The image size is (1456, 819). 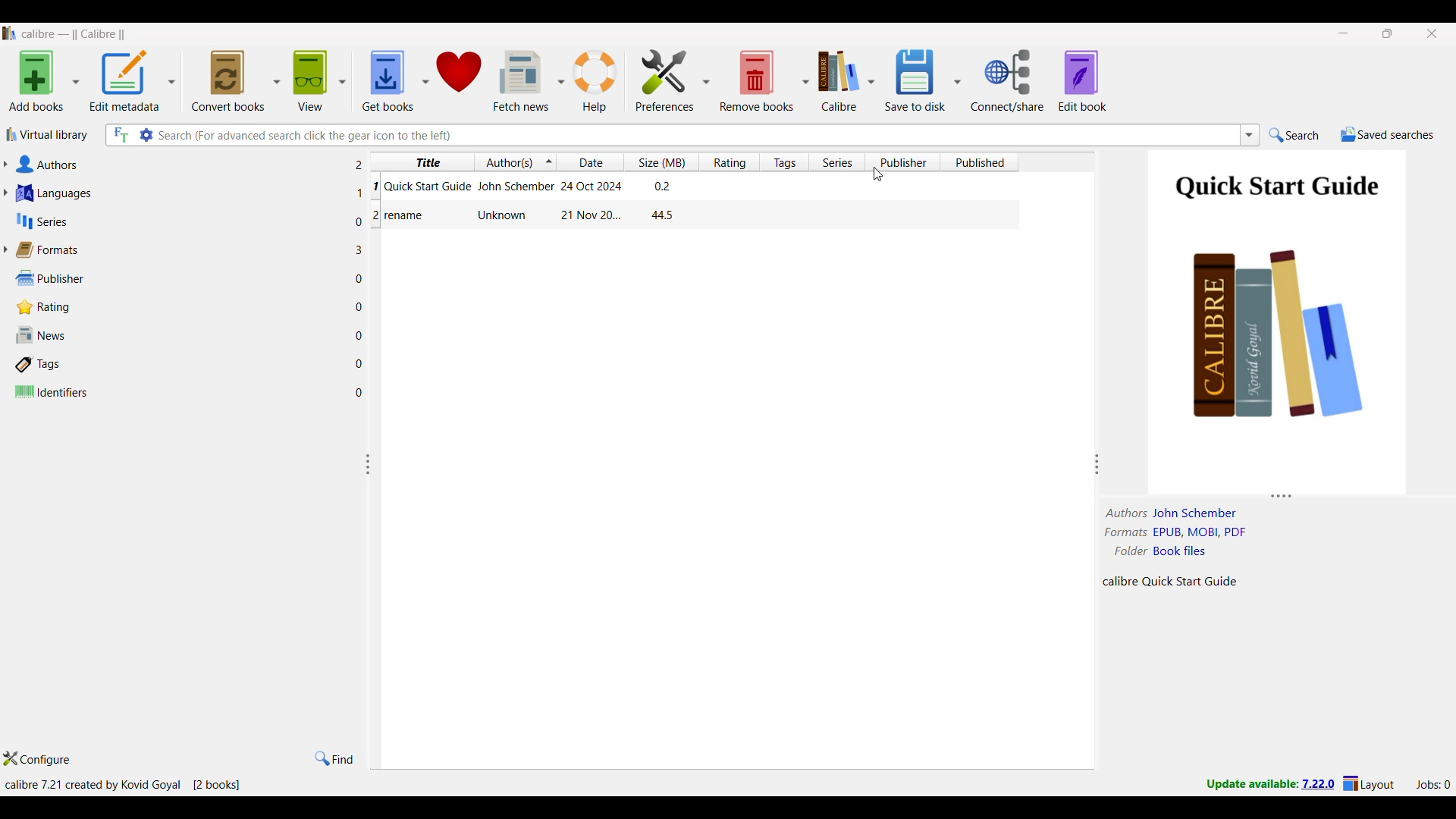 What do you see at coordinates (177, 278) in the screenshot?
I see `Publisher` at bounding box center [177, 278].